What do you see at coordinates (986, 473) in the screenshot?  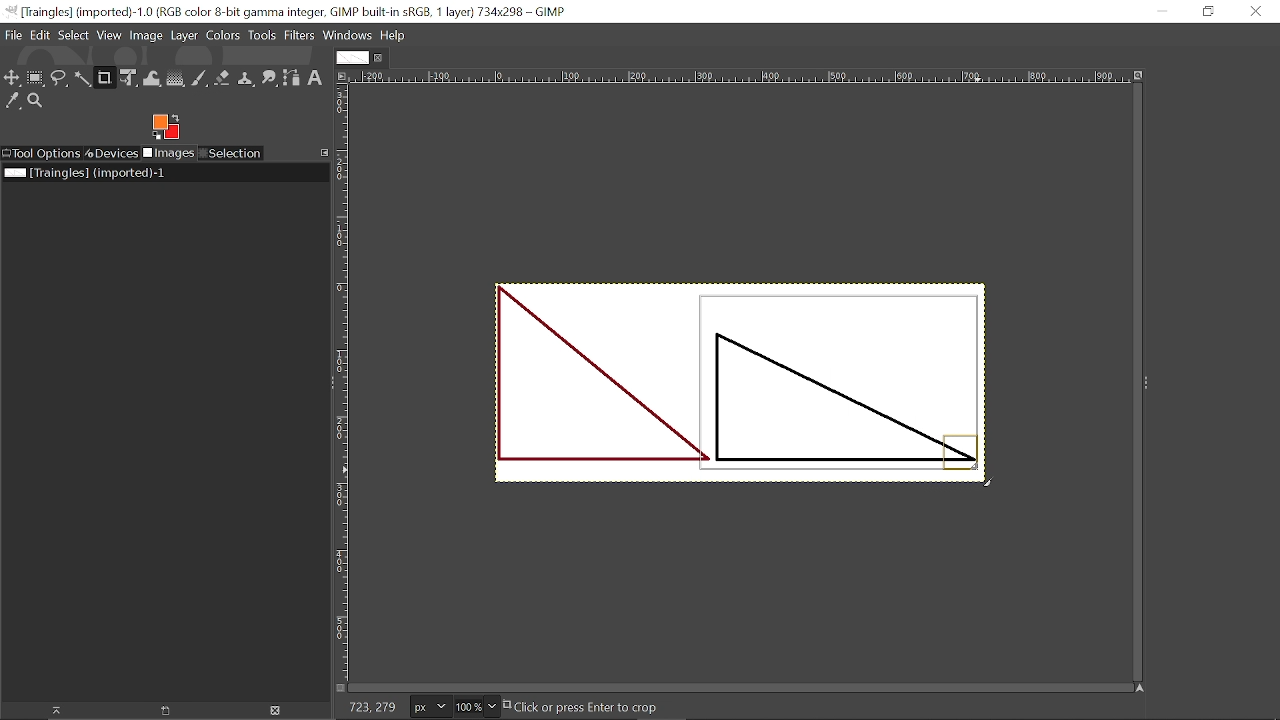 I see `cursor` at bounding box center [986, 473].